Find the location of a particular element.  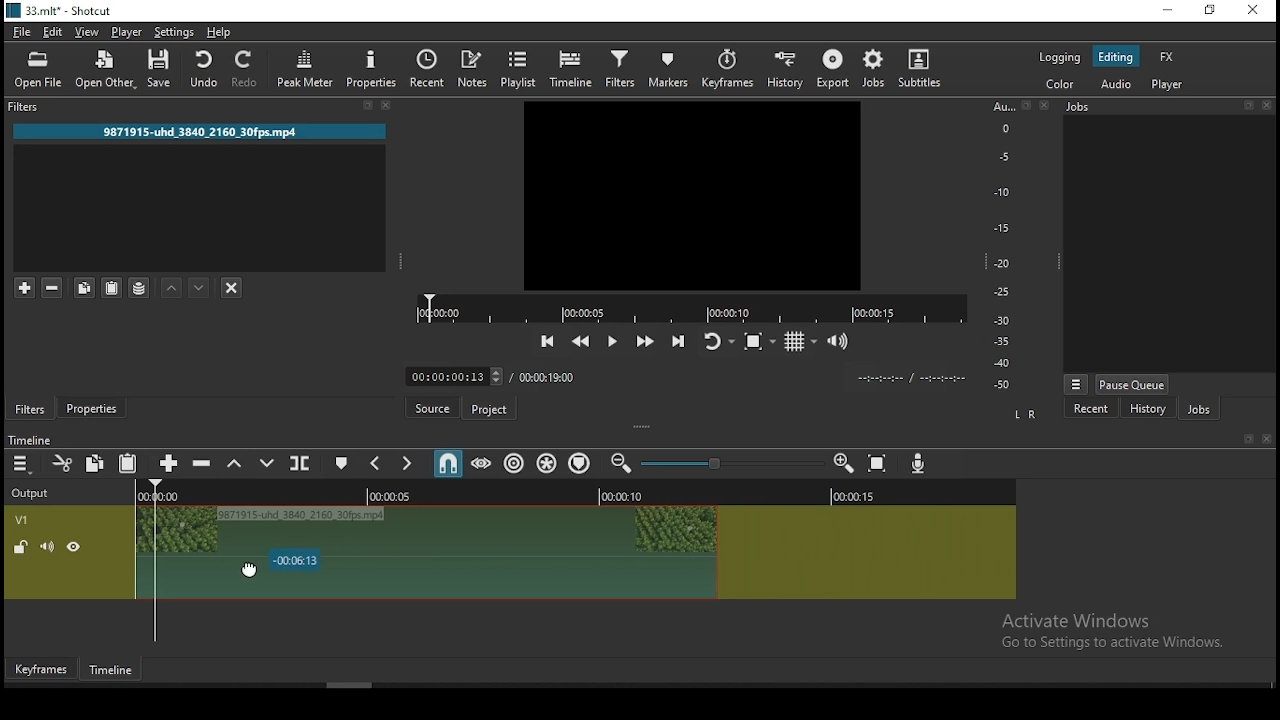

move filter up is located at coordinates (170, 288).